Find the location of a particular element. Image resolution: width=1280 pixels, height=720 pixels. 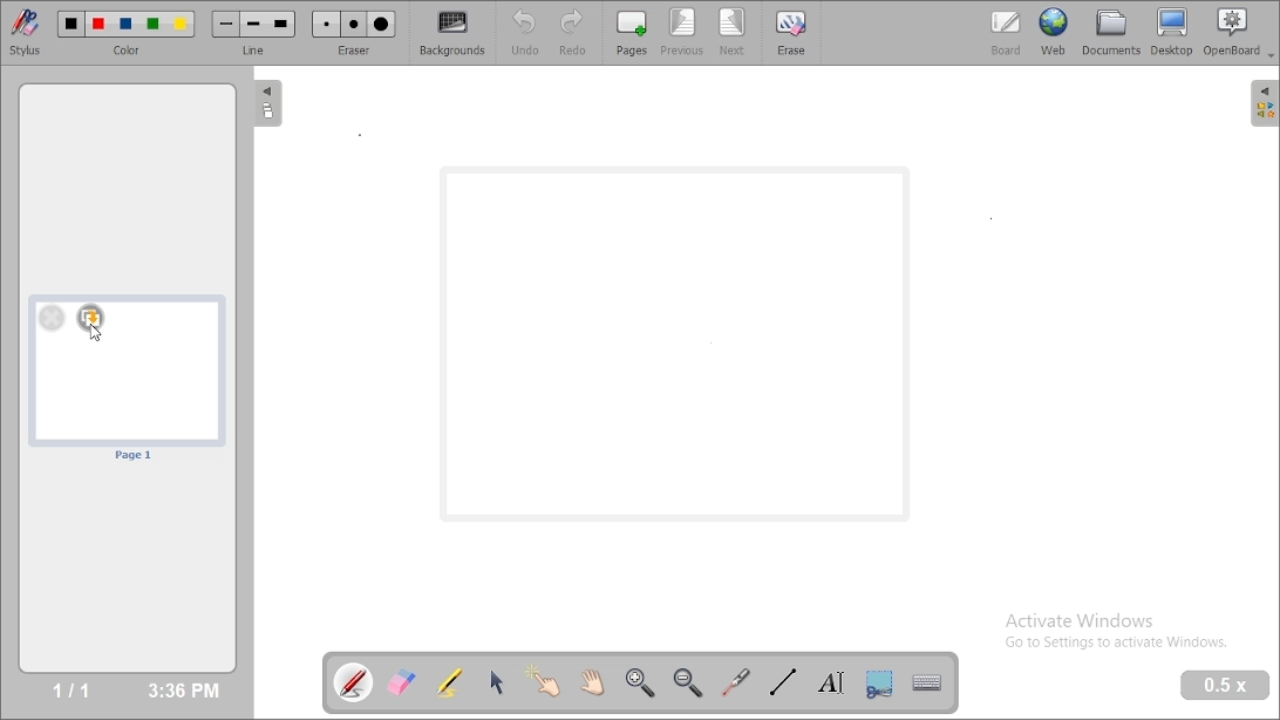

The library is located at coordinates (1264, 102).